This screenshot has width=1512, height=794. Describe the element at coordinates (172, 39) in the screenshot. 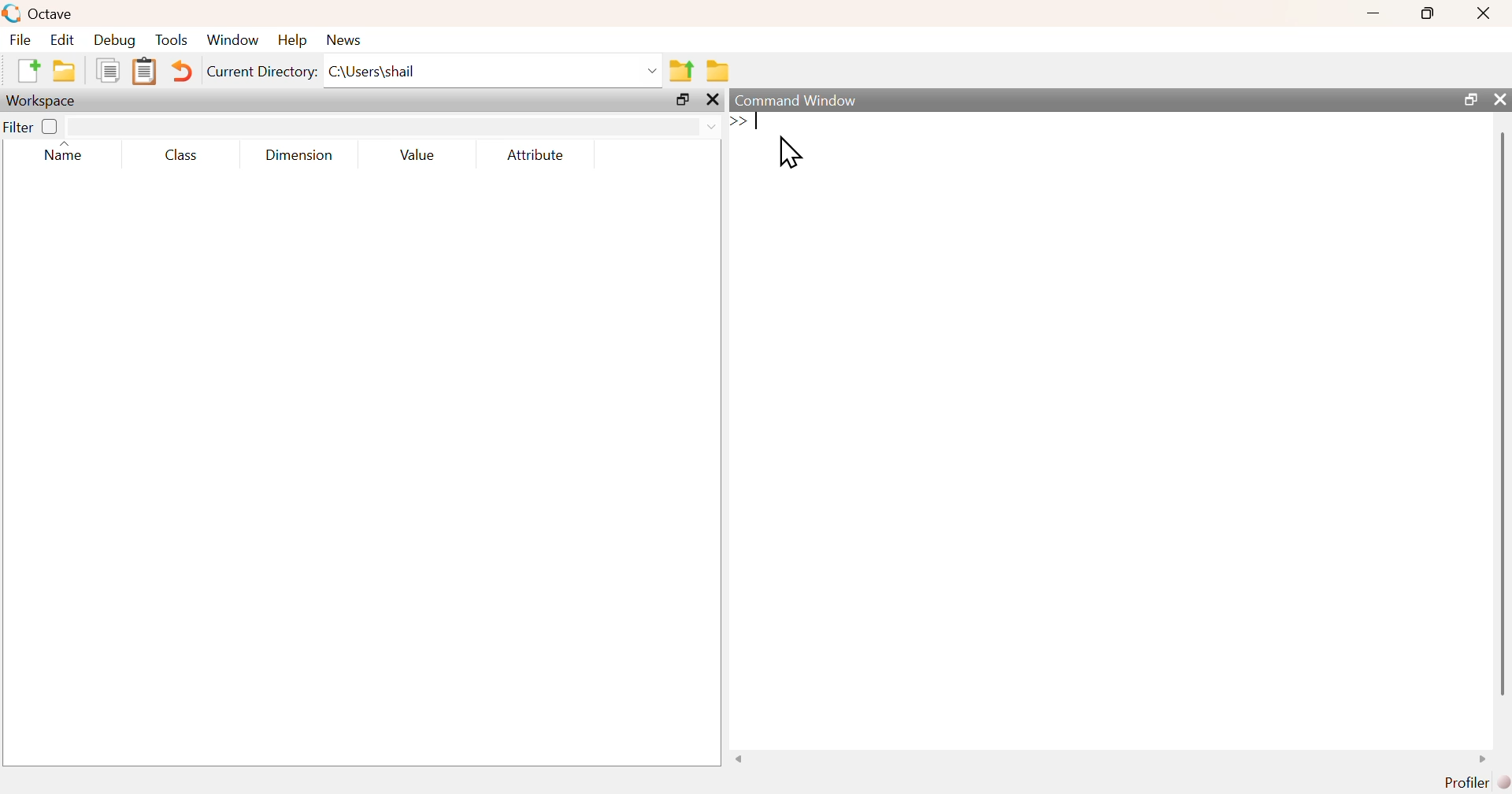

I see `Tools` at that location.